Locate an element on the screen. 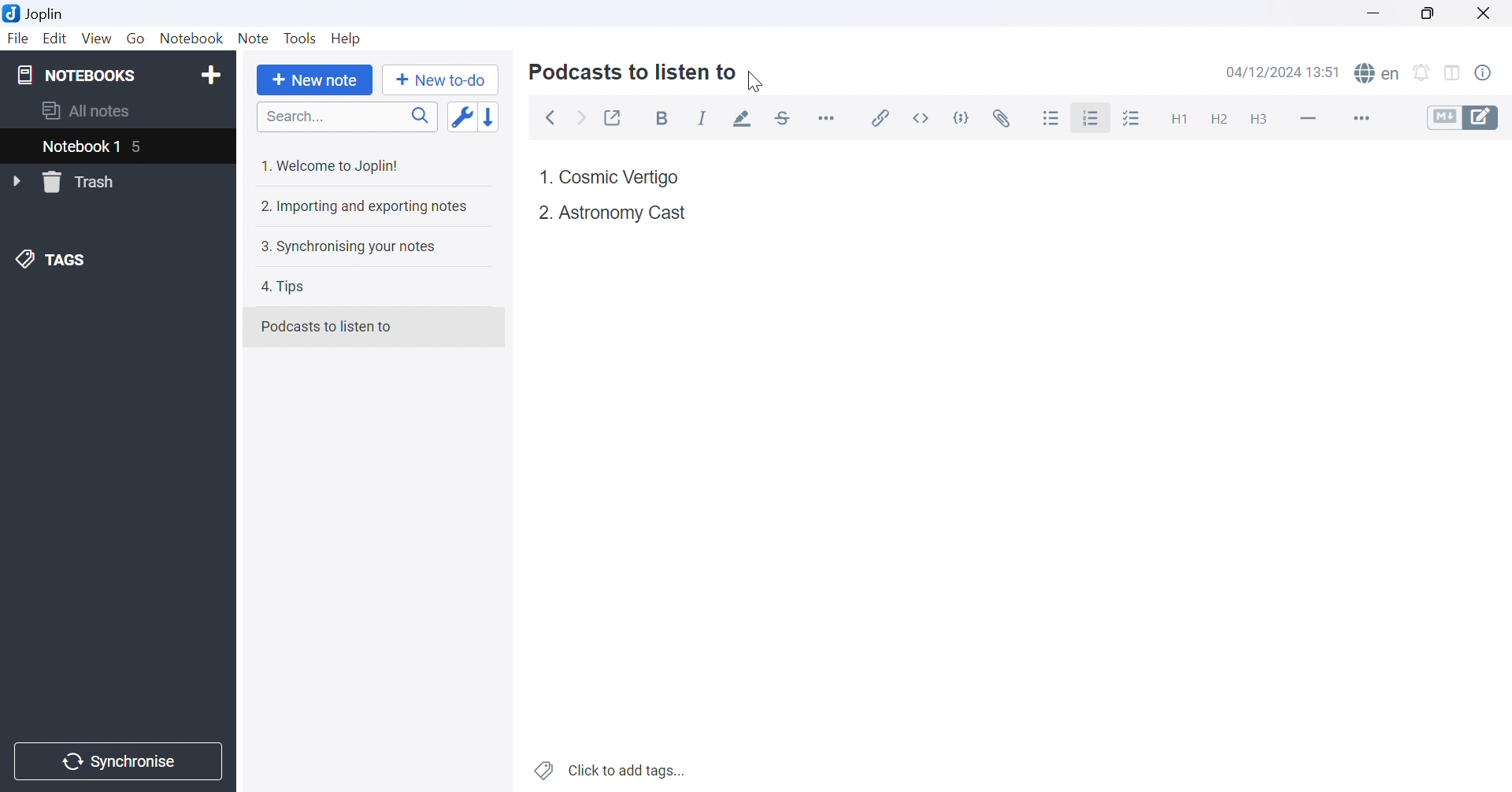 This screenshot has width=1512, height=792. spell checker is located at coordinates (1381, 74).